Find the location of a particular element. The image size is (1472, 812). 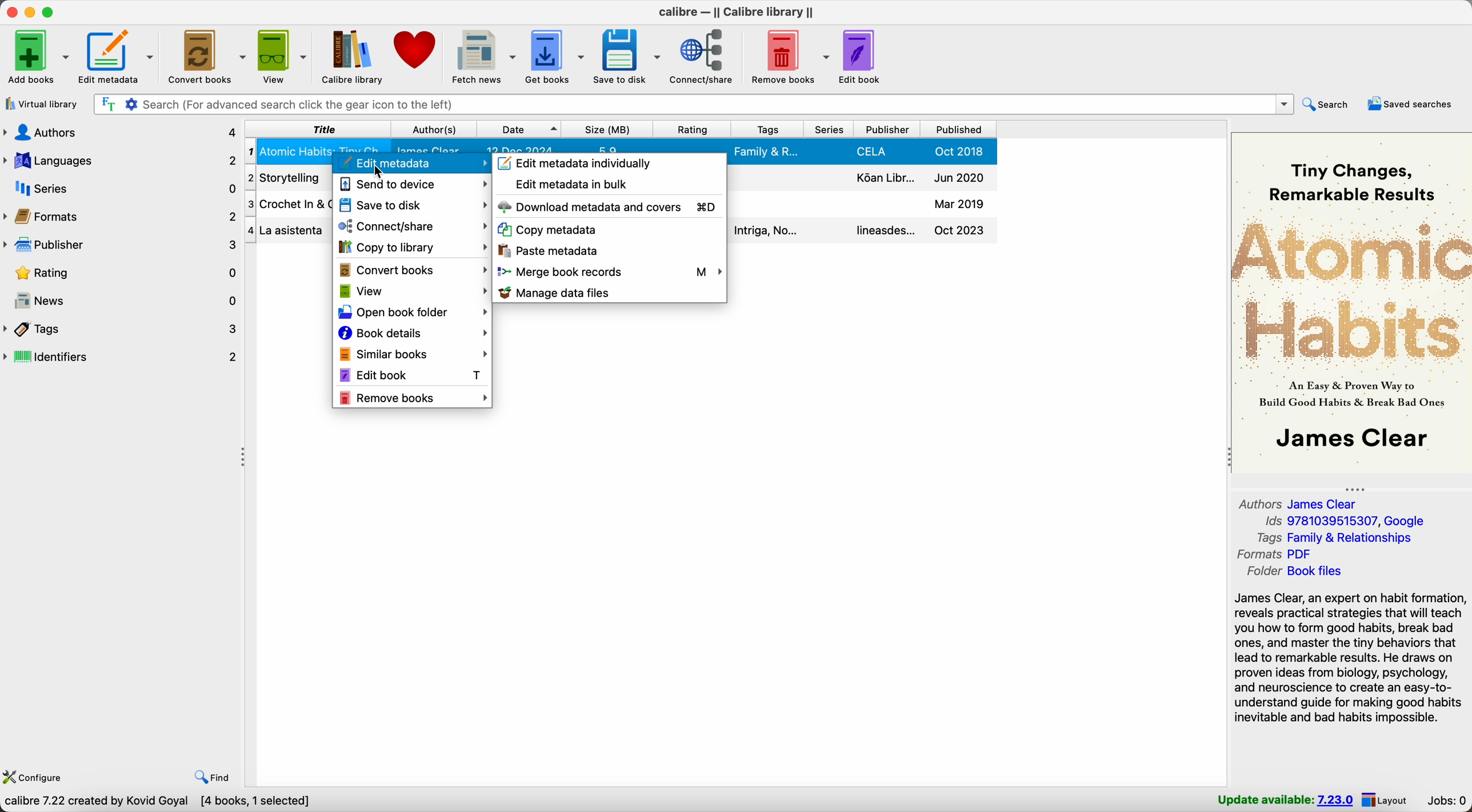

crochet in out book details is located at coordinates (289, 205).